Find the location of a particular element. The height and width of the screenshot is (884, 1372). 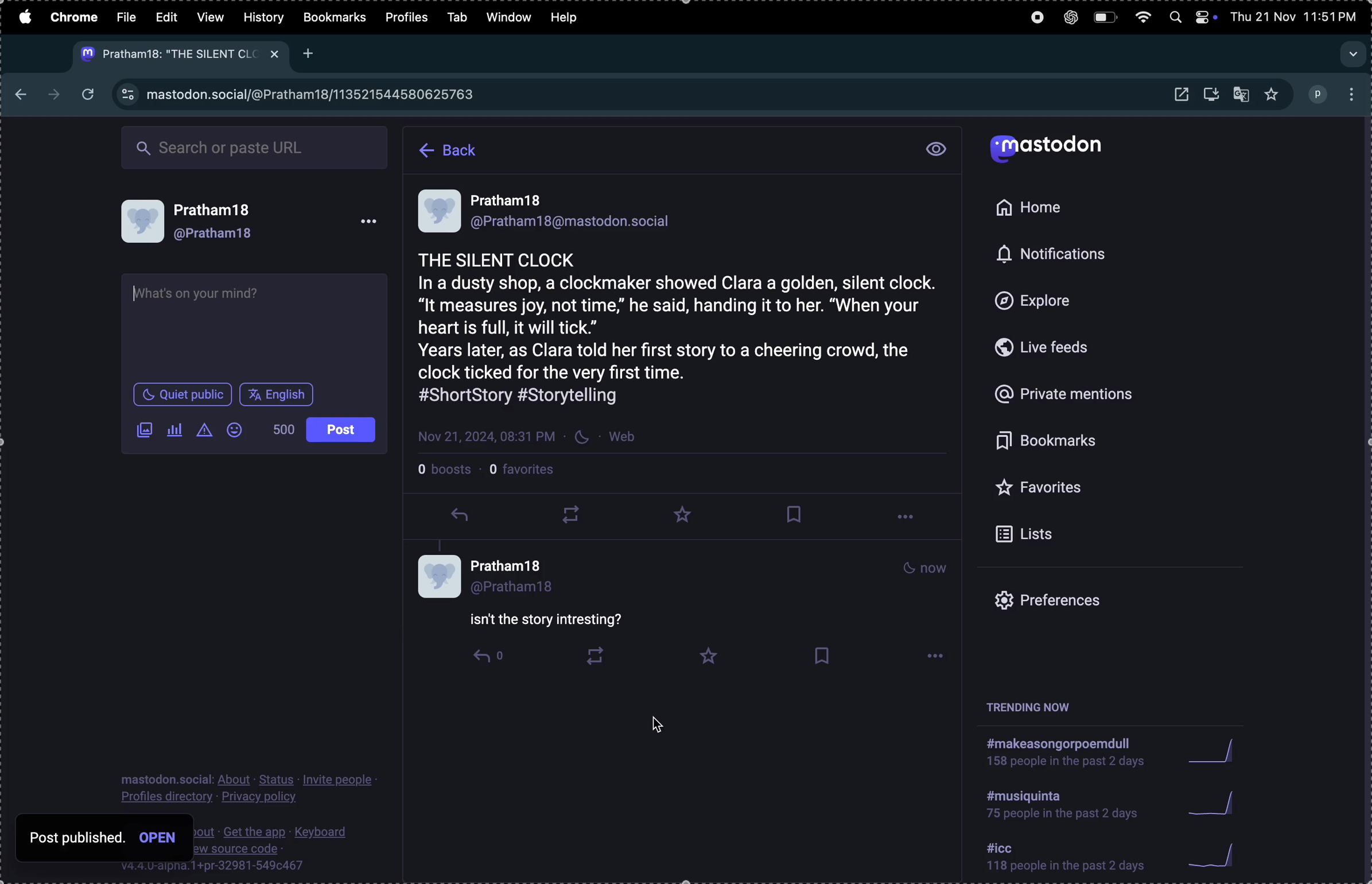

view site information is located at coordinates (127, 95).